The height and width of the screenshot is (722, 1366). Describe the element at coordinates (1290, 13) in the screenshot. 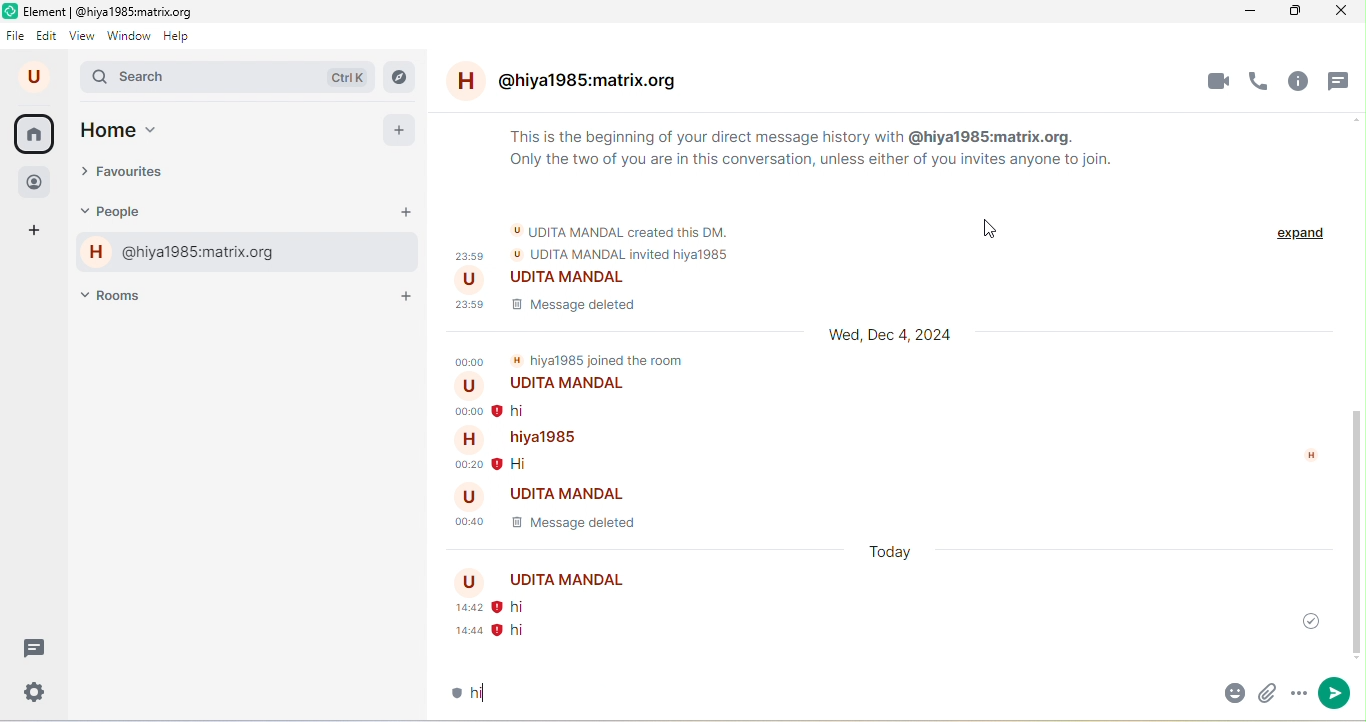

I see `maximize` at that location.